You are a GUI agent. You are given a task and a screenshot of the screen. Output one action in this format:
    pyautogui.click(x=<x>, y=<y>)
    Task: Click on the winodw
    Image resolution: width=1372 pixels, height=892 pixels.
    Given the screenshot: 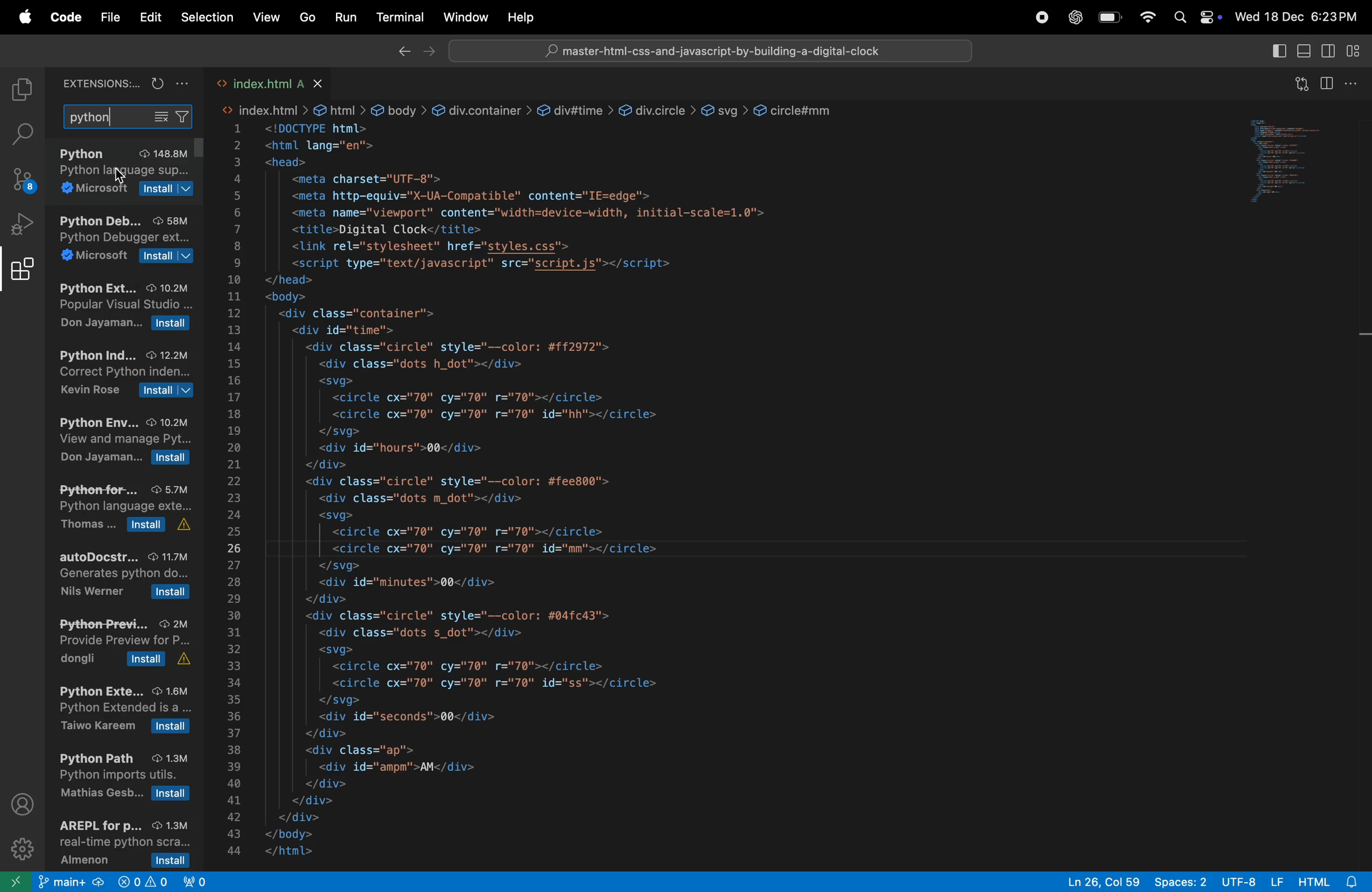 What is the action you would take?
    pyautogui.click(x=465, y=17)
    